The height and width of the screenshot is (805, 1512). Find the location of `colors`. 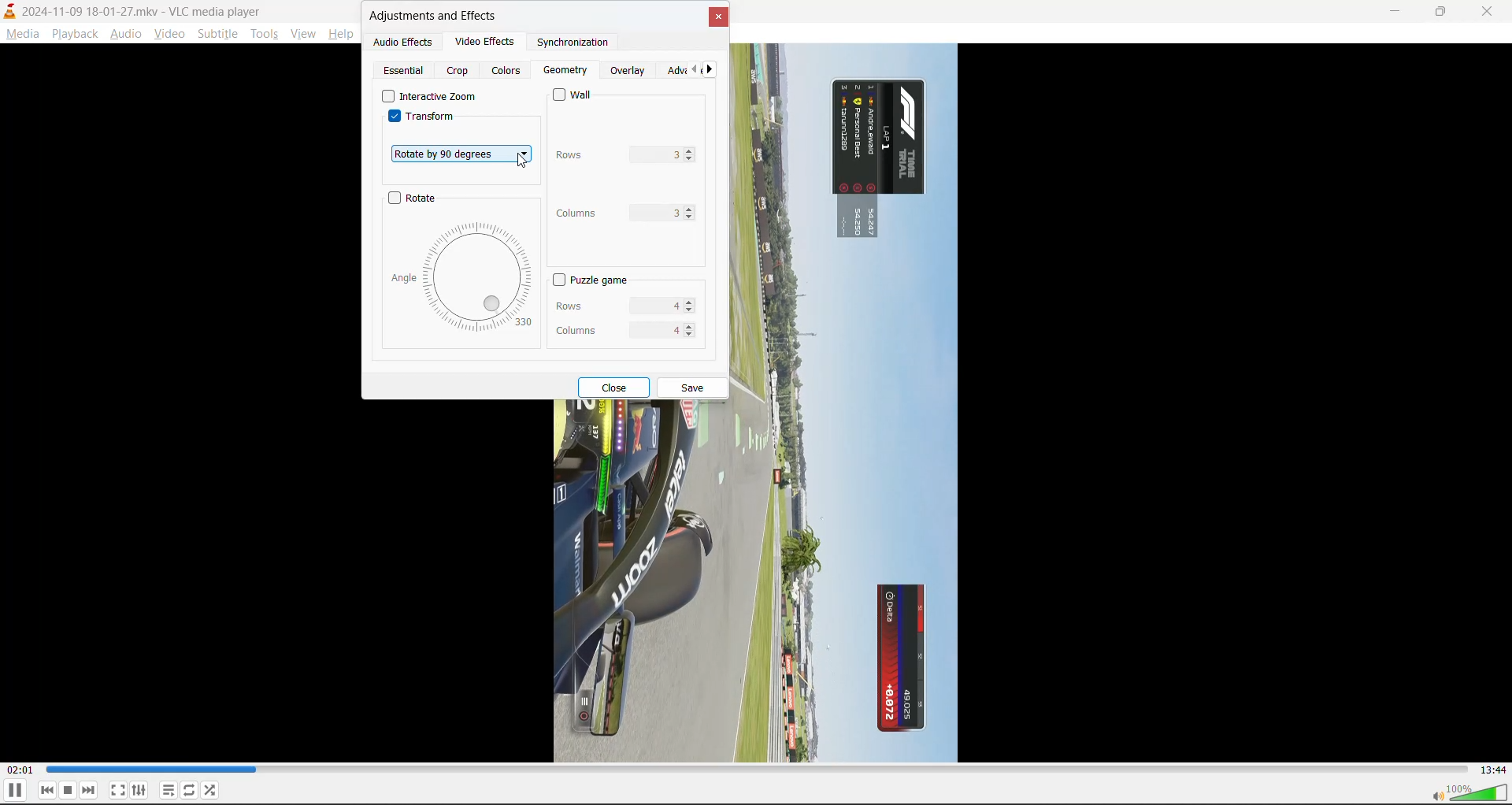

colors is located at coordinates (506, 72).